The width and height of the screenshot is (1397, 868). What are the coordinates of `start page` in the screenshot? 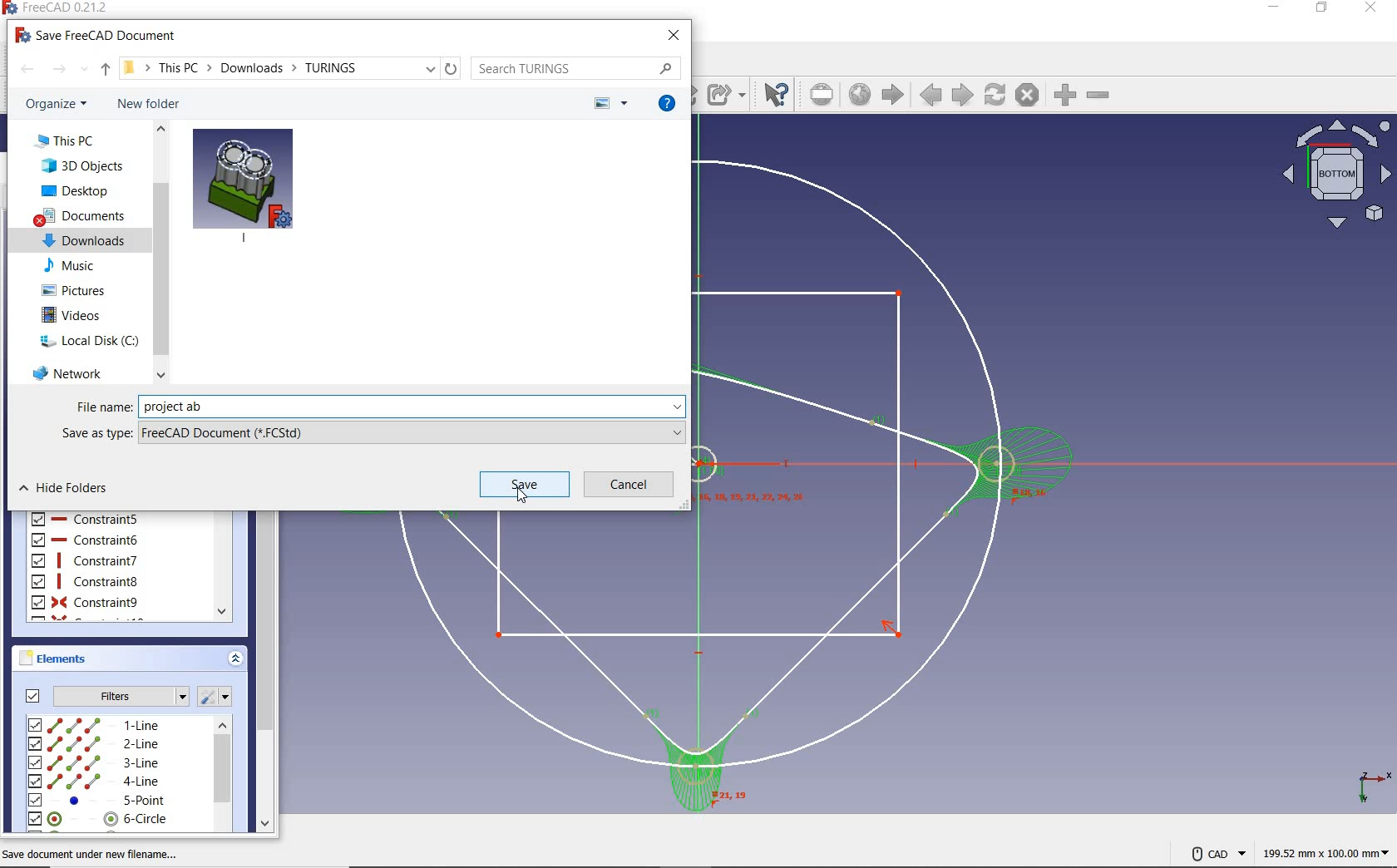 It's located at (893, 95).